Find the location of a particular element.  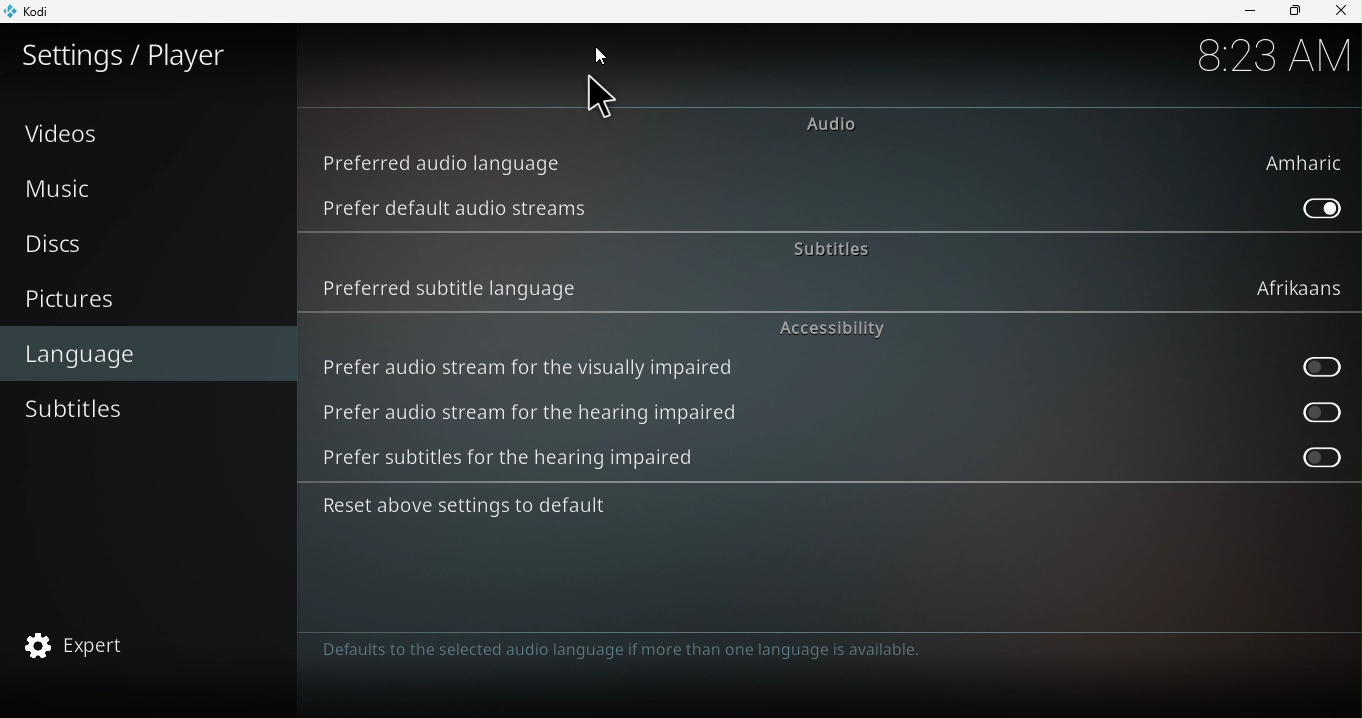

Language is located at coordinates (151, 352).